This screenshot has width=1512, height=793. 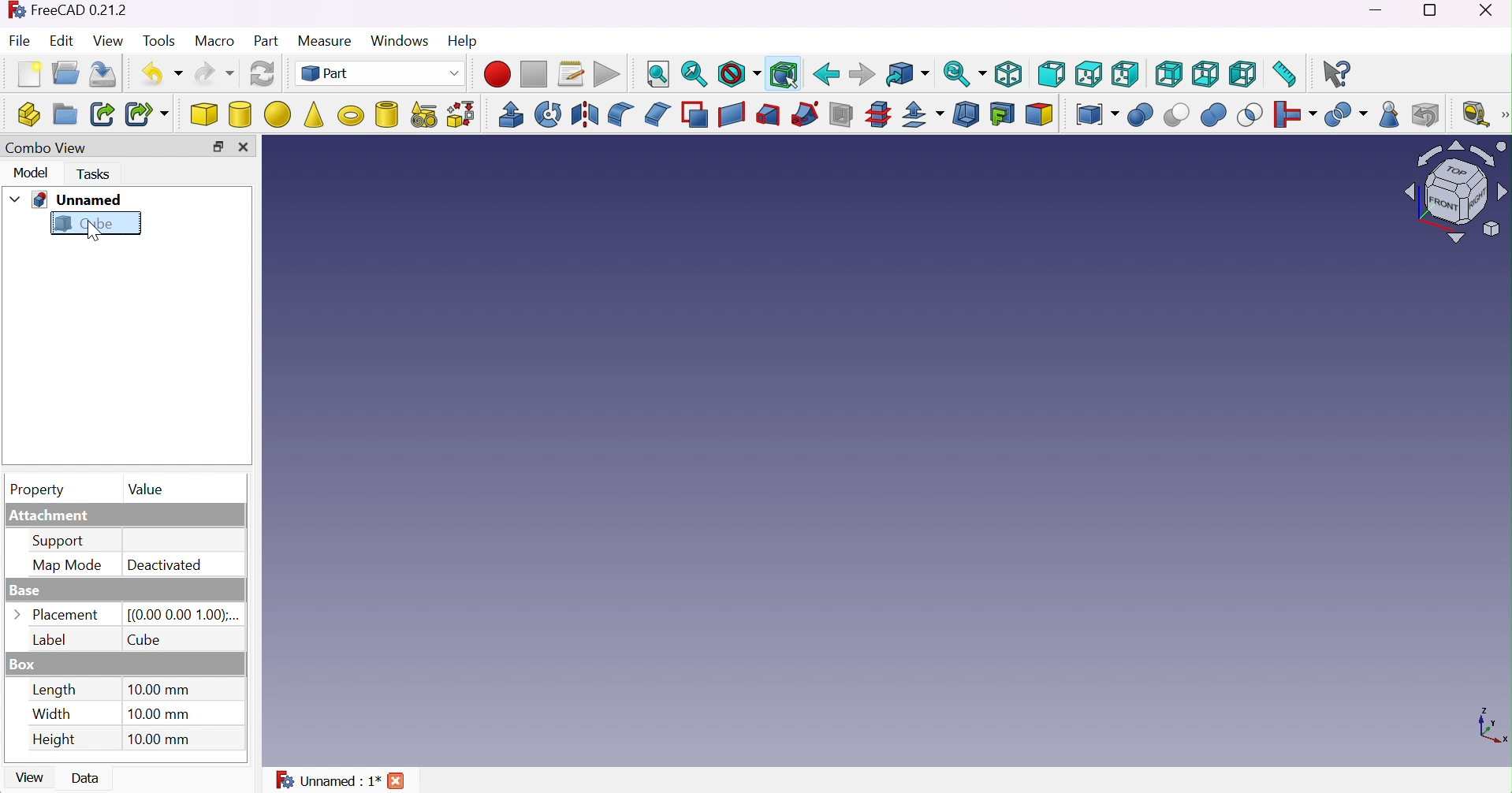 What do you see at coordinates (1177, 116) in the screenshot?
I see `Cut` at bounding box center [1177, 116].